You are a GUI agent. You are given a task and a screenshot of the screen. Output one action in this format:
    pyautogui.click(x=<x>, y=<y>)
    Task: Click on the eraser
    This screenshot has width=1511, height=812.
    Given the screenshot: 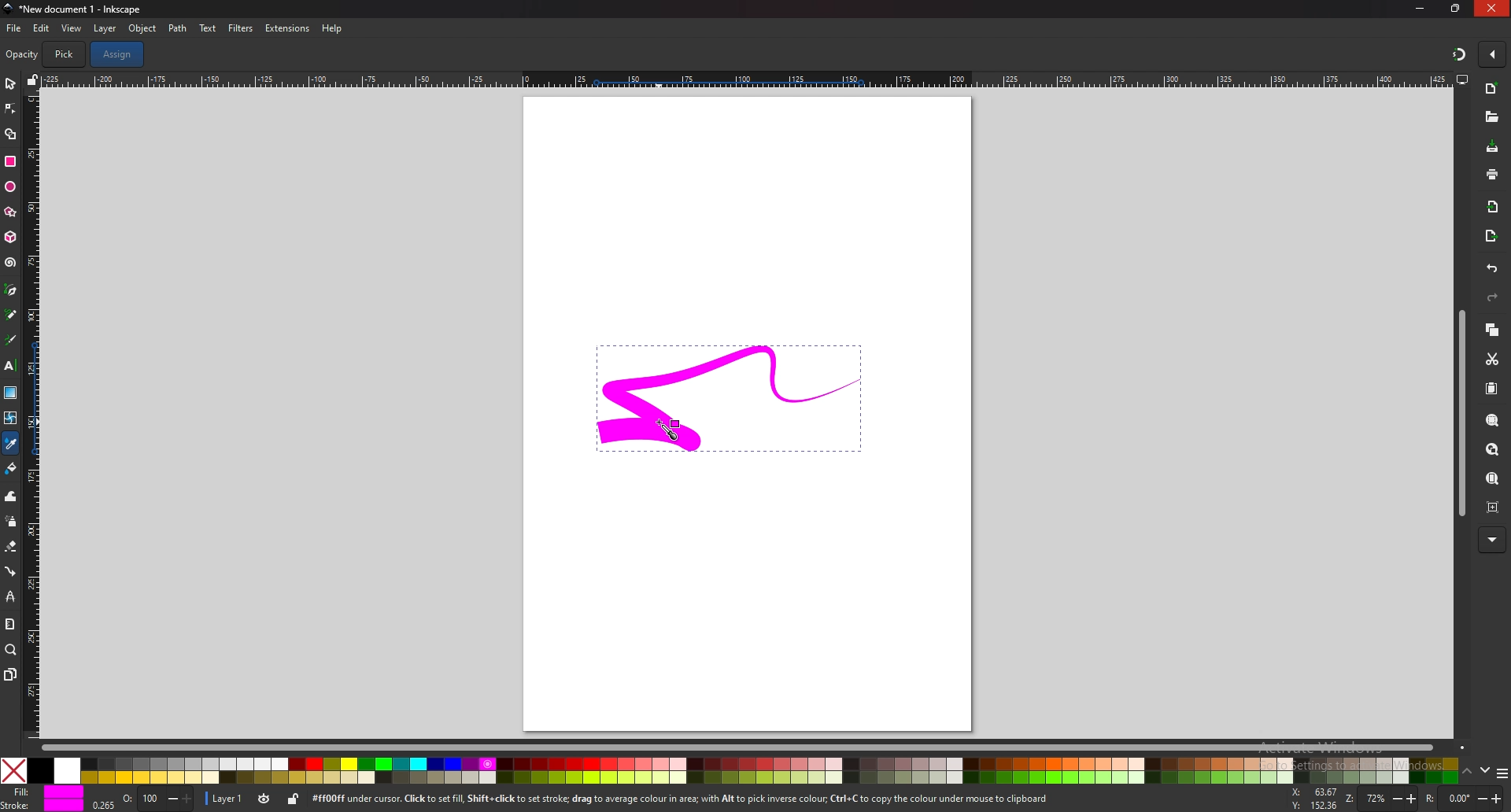 What is the action you would take?
    pyautogui.click(x=11, y=547)
    